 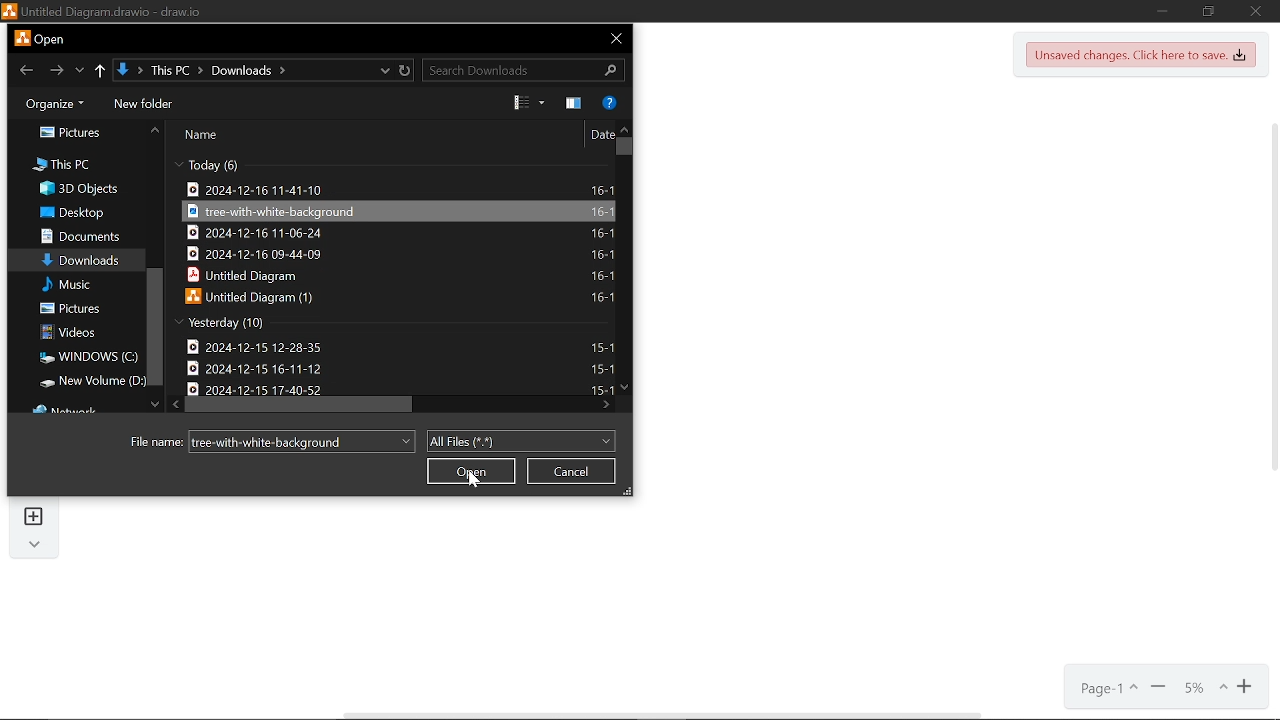 I want to click on Horizontal scrollbar, so click(x=302, y=405).